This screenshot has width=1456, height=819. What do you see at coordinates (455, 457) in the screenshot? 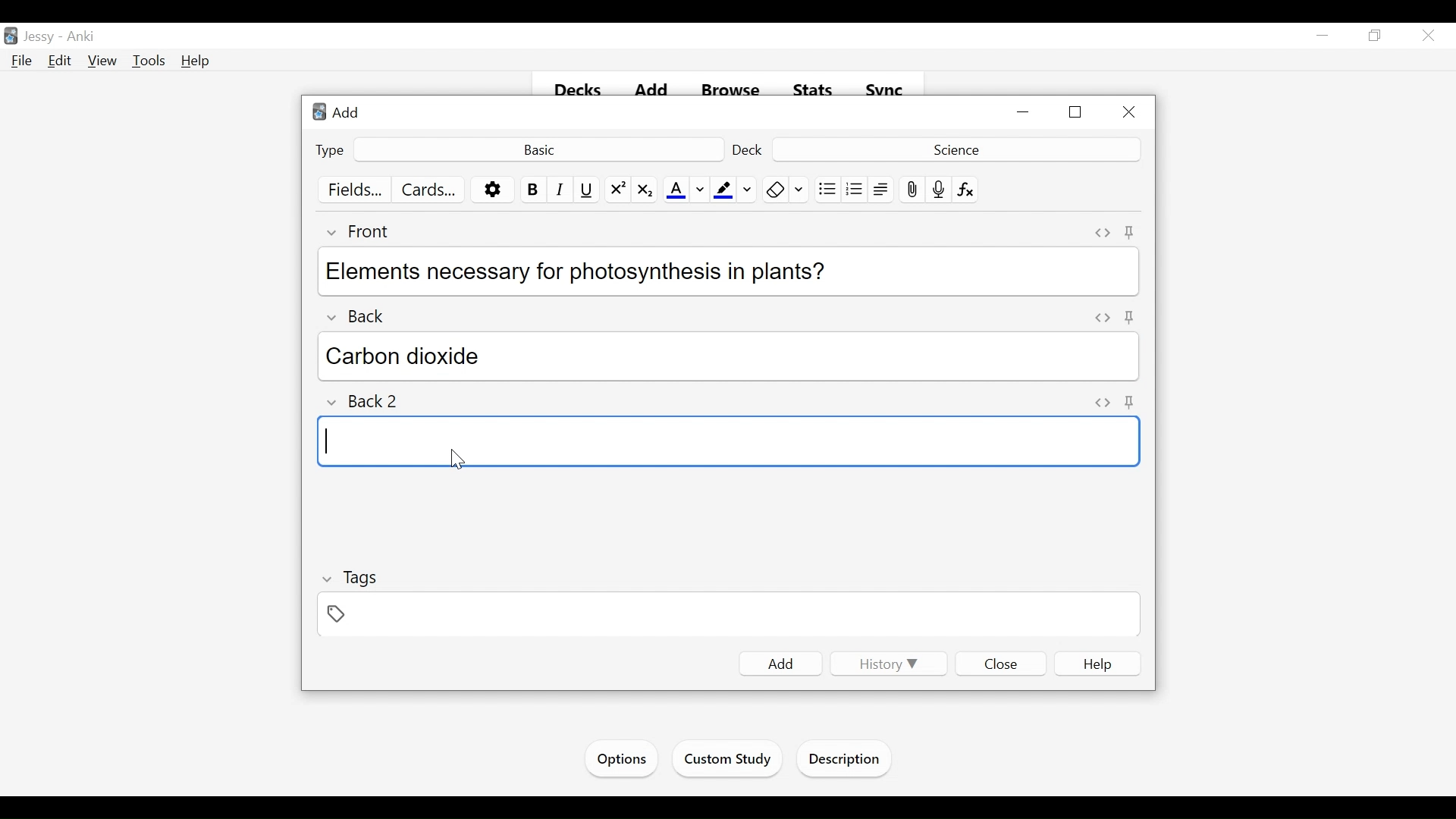
I see `cursor` at bounding box center [455, 457].